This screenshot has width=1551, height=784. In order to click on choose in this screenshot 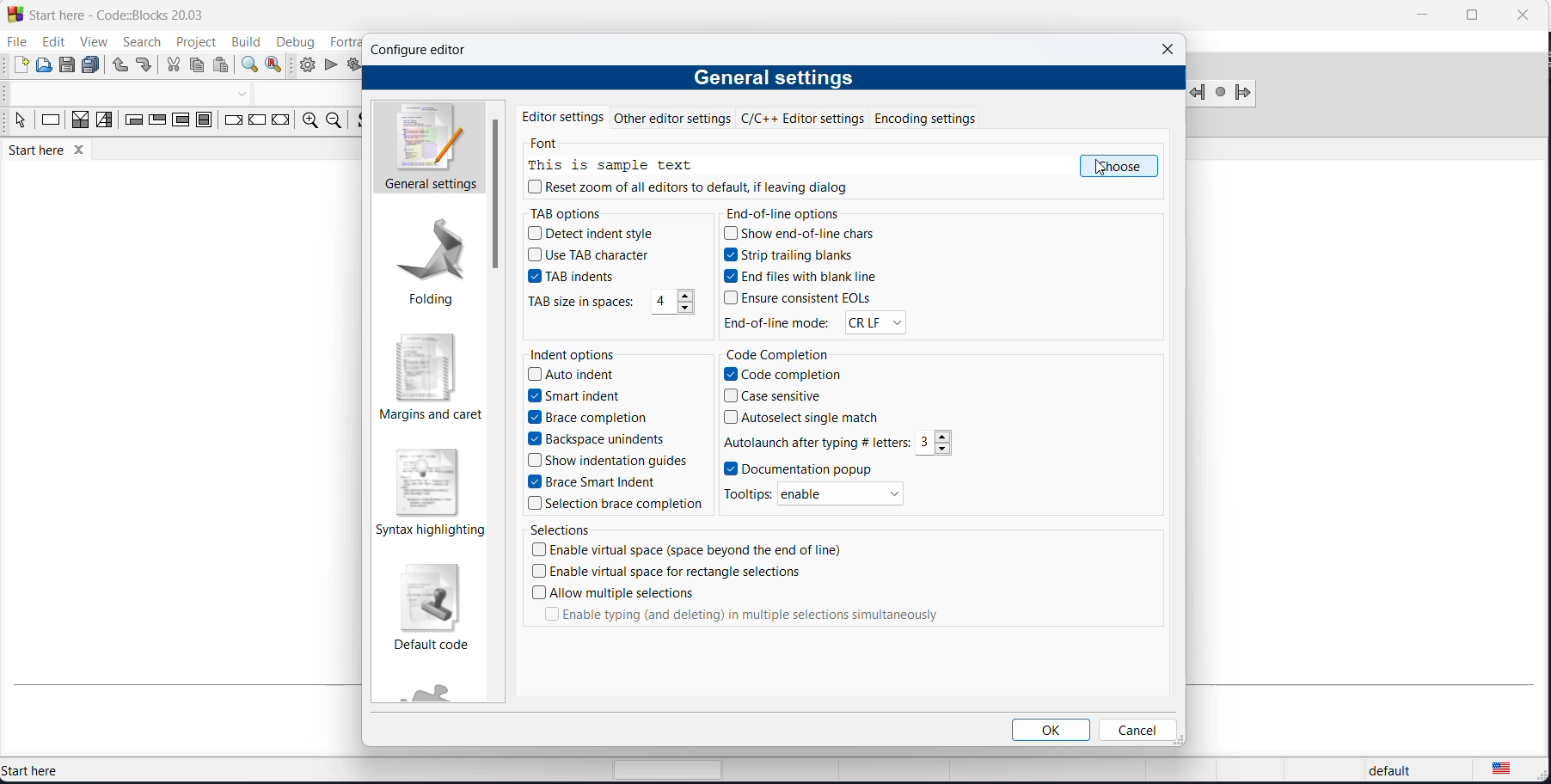, I will do `click(1119, 167)`.